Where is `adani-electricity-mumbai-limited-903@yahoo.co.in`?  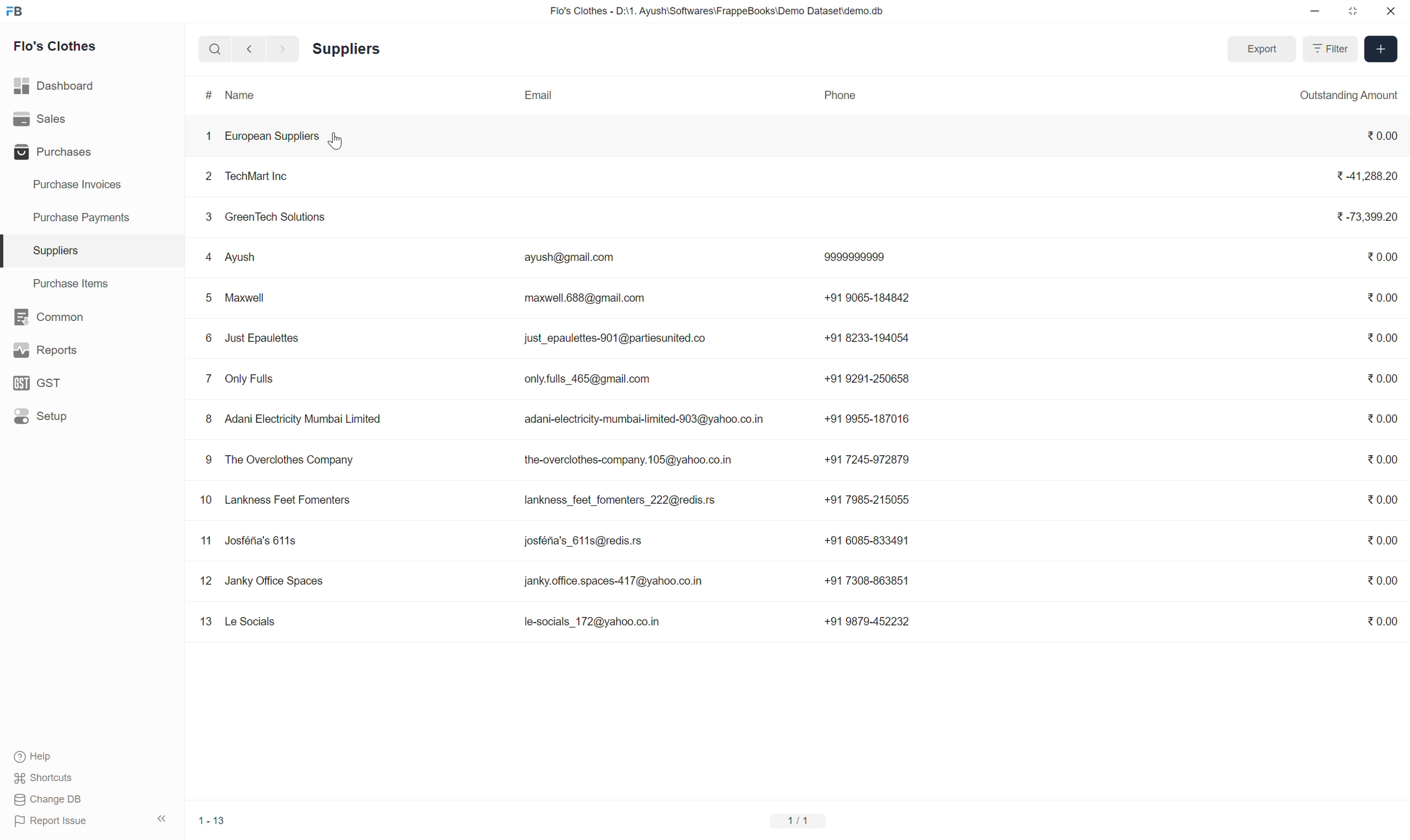 adani-electricity-mumbai-limited-903@yahoo.co.in is located at coordinates (644, 418).